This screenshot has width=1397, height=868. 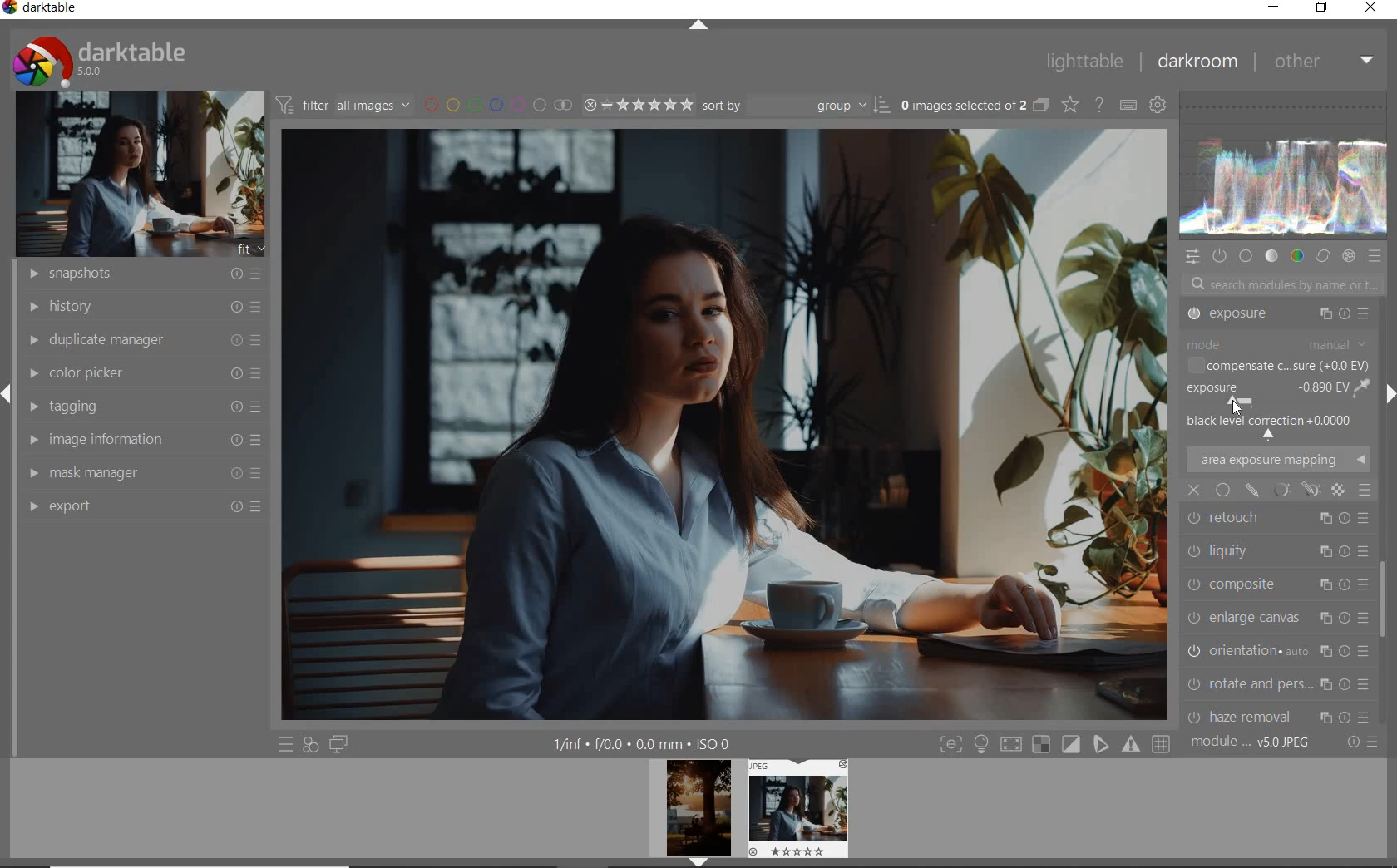 What do you see at coordinates (1054, 744) in the screenshot?
I see `TOGGLE MODE` at bounding box center [1054, 744].